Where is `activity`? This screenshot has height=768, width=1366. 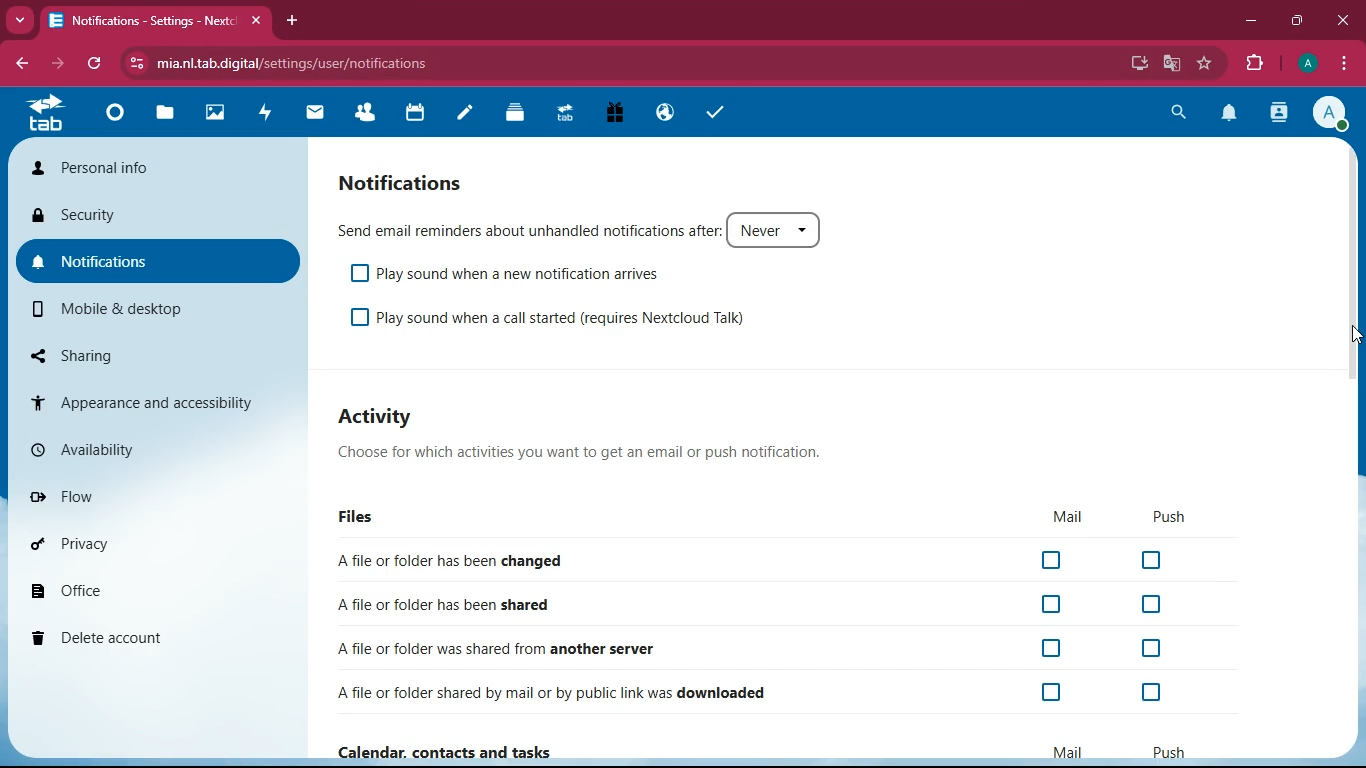
activity is located at coordinates (383, 414).